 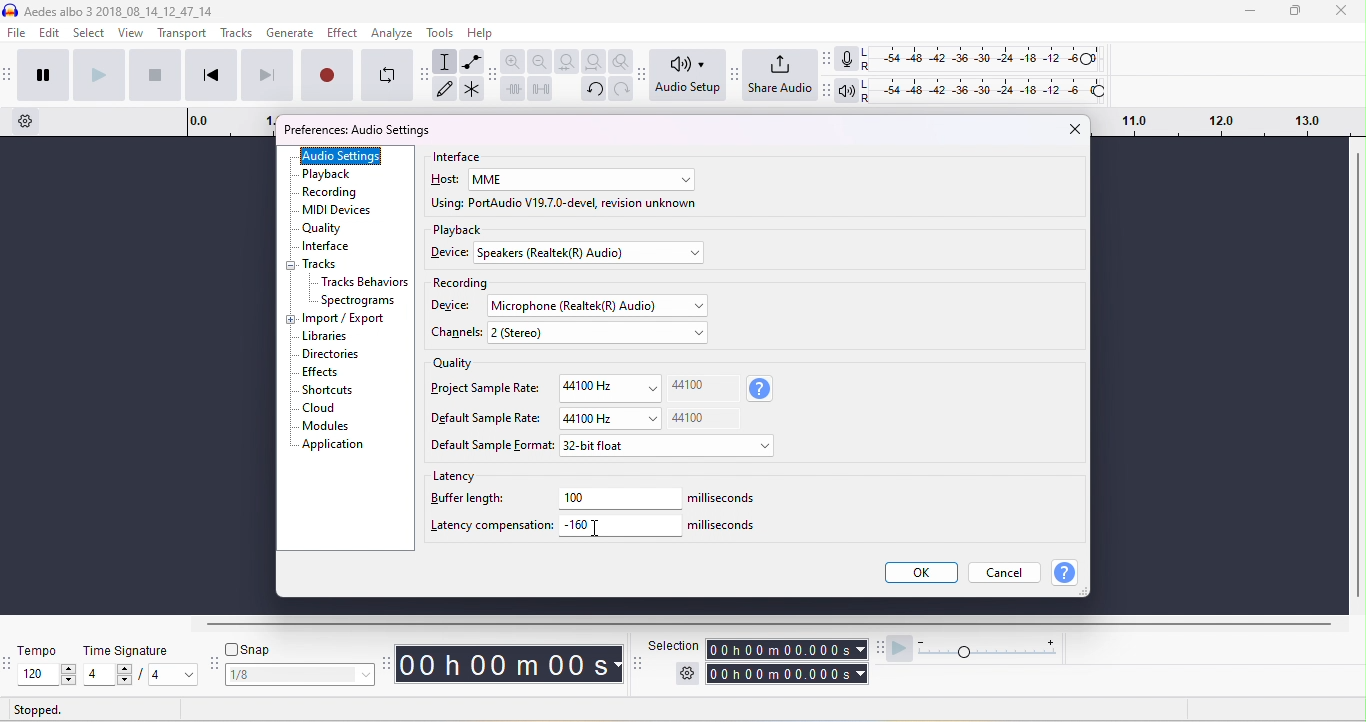 What do you see at coordinates (869, 85) in the screenshot?
I see `L` at bounding box center [869, 85].